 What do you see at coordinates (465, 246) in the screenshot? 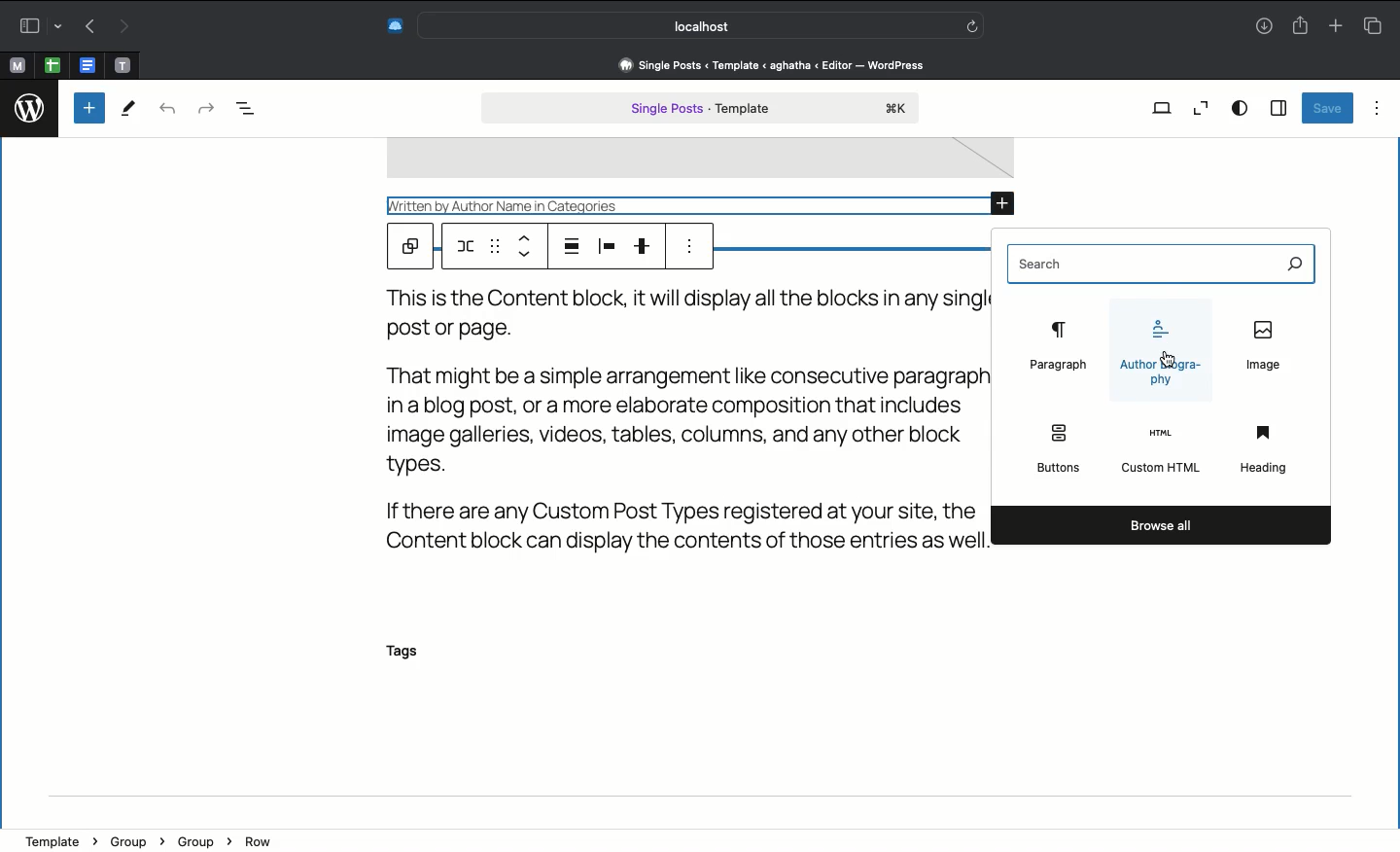
I see `Row` at bounding box center [465, 246].